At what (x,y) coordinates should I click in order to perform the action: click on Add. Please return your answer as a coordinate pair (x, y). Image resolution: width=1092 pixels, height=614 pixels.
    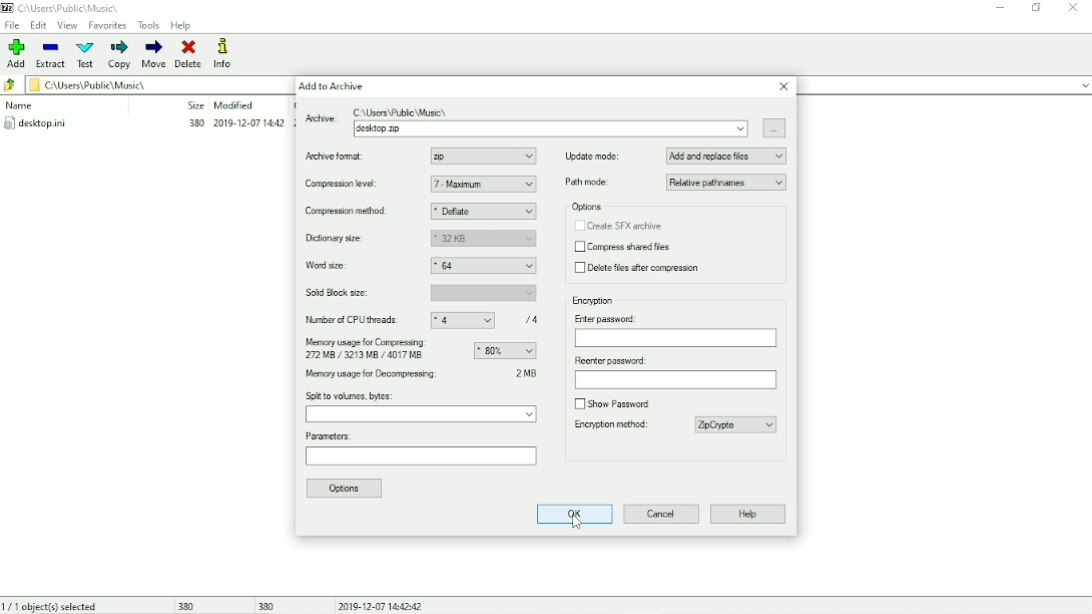
    Looking at the image, I should click on (17, 53).